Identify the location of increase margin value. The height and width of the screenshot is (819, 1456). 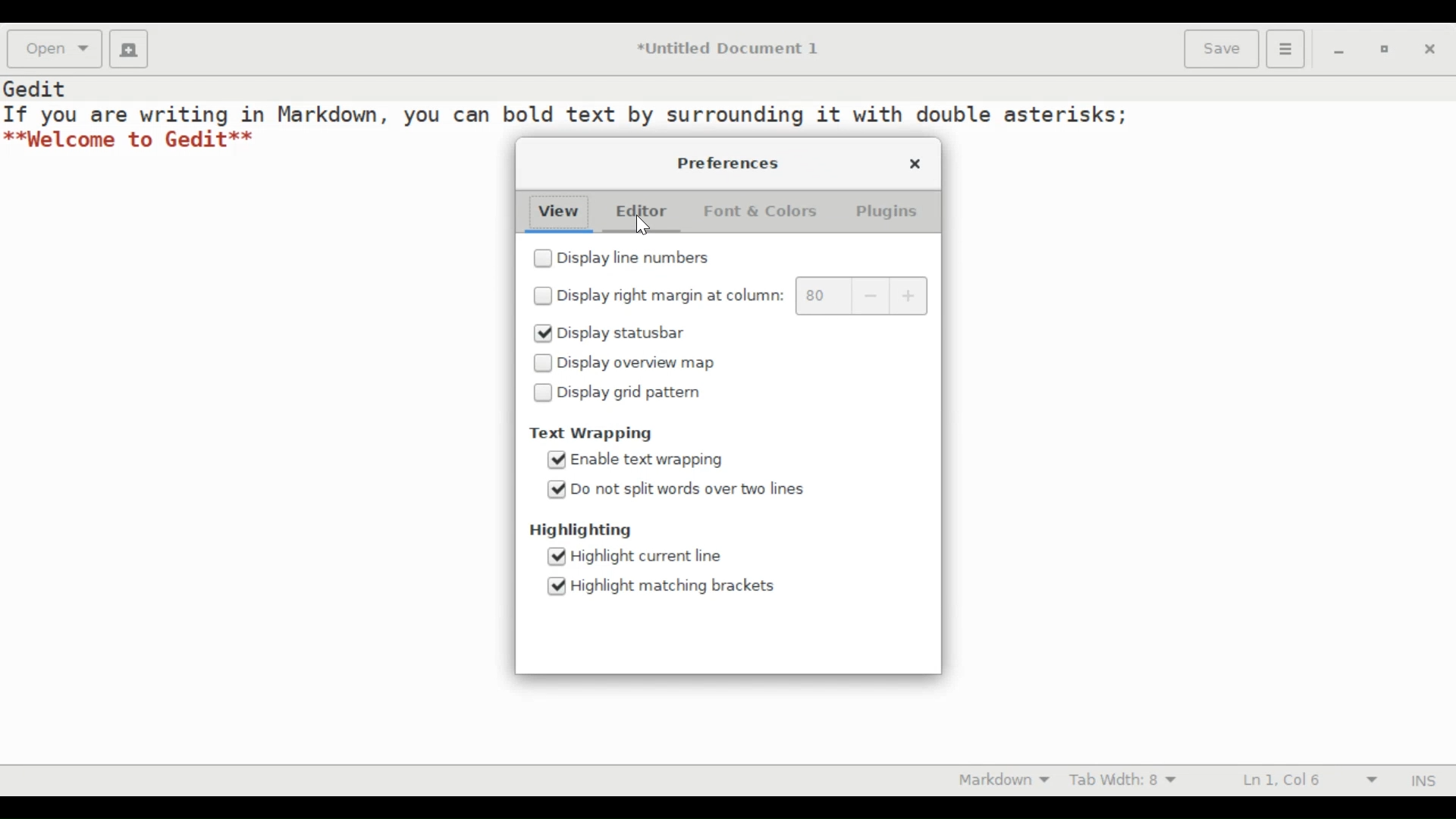
(909, 297).